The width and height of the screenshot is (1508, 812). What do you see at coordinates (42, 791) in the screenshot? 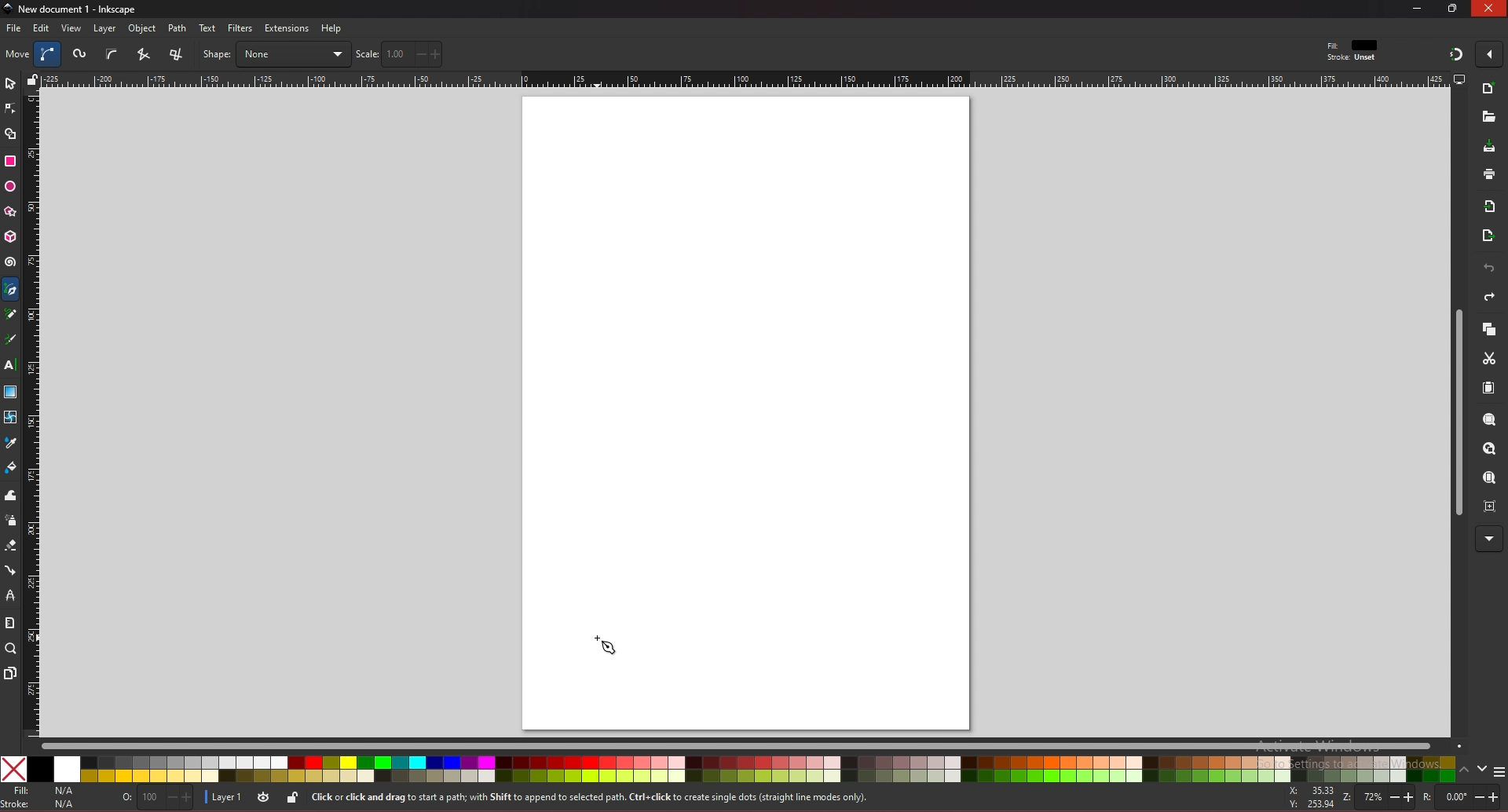
I see `fill` at bounding box center [42, 791].